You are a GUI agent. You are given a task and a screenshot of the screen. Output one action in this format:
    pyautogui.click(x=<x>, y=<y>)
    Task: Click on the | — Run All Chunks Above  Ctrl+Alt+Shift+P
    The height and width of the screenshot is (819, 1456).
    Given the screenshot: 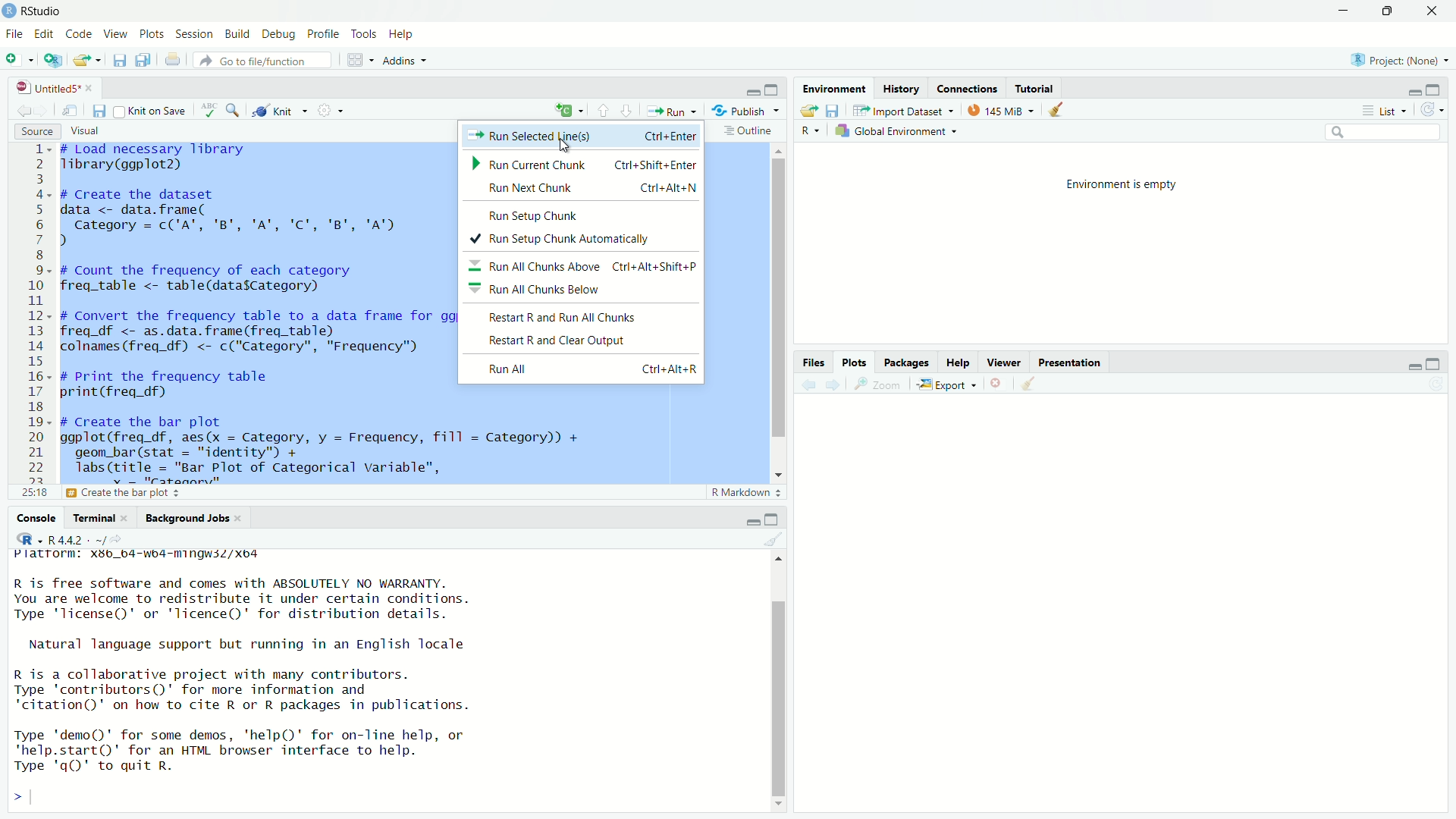 What is the action you would take?
    pyautogui.click(x=583, y=268)
    